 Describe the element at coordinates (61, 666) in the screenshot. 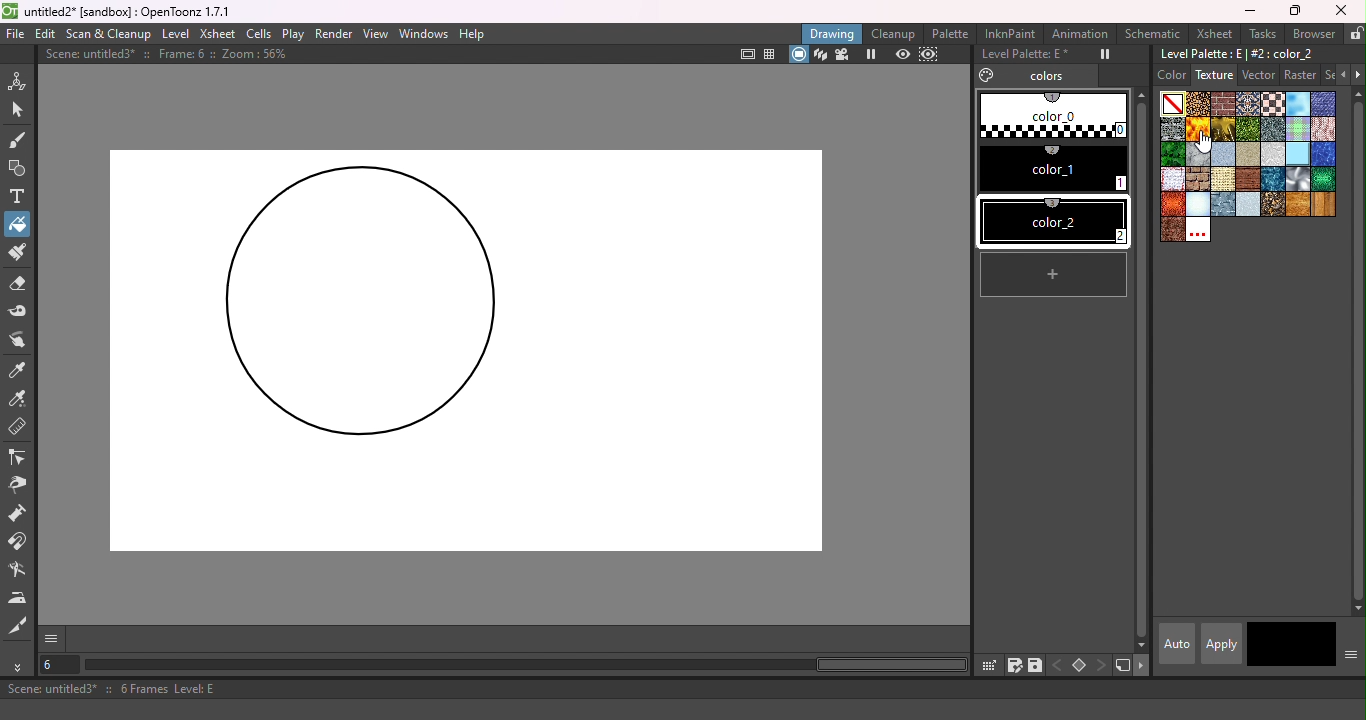

I see `Select the current frame` at that location.